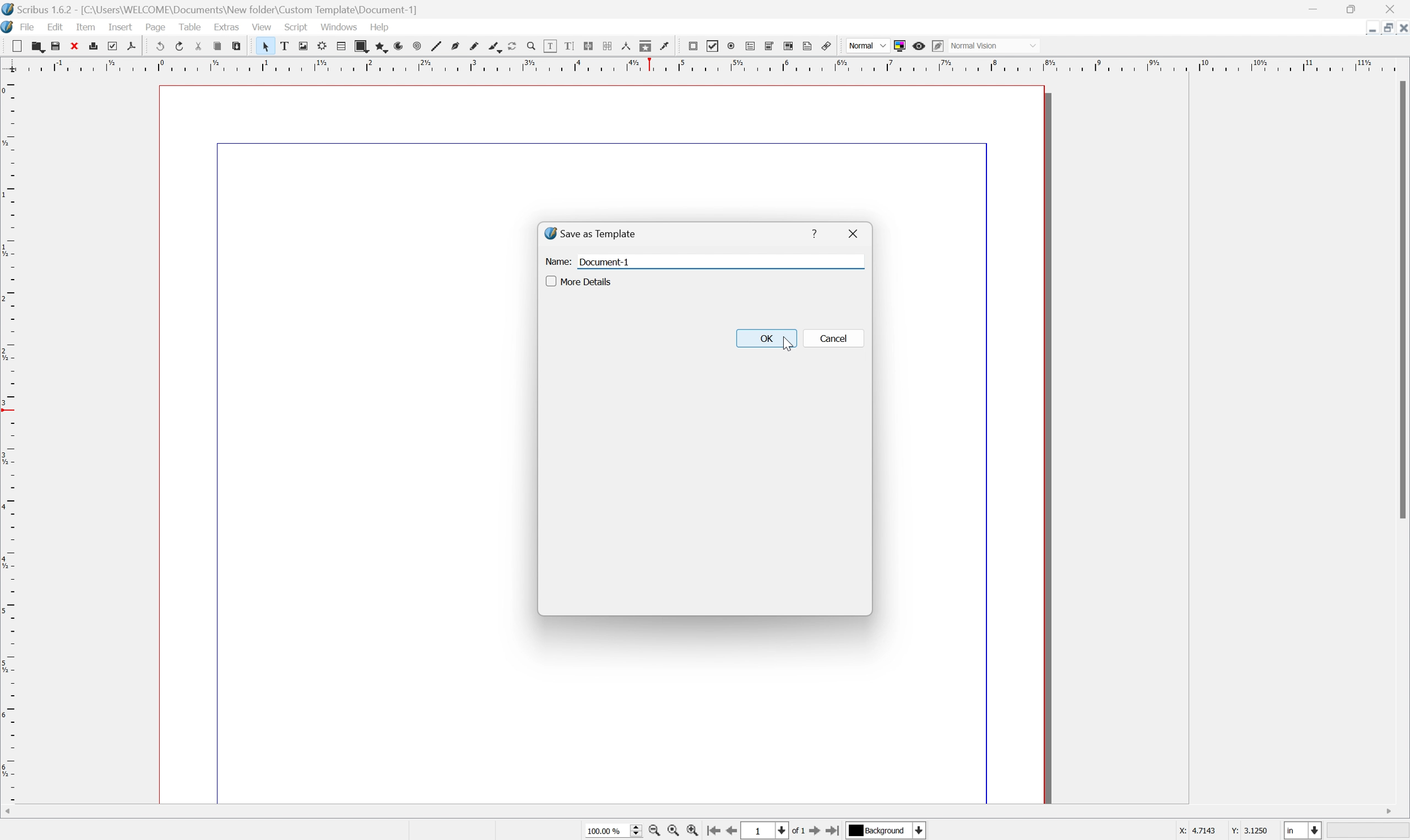  Describe the element at coordinates (190, 27) in the screenshot. I see `table` at that location.